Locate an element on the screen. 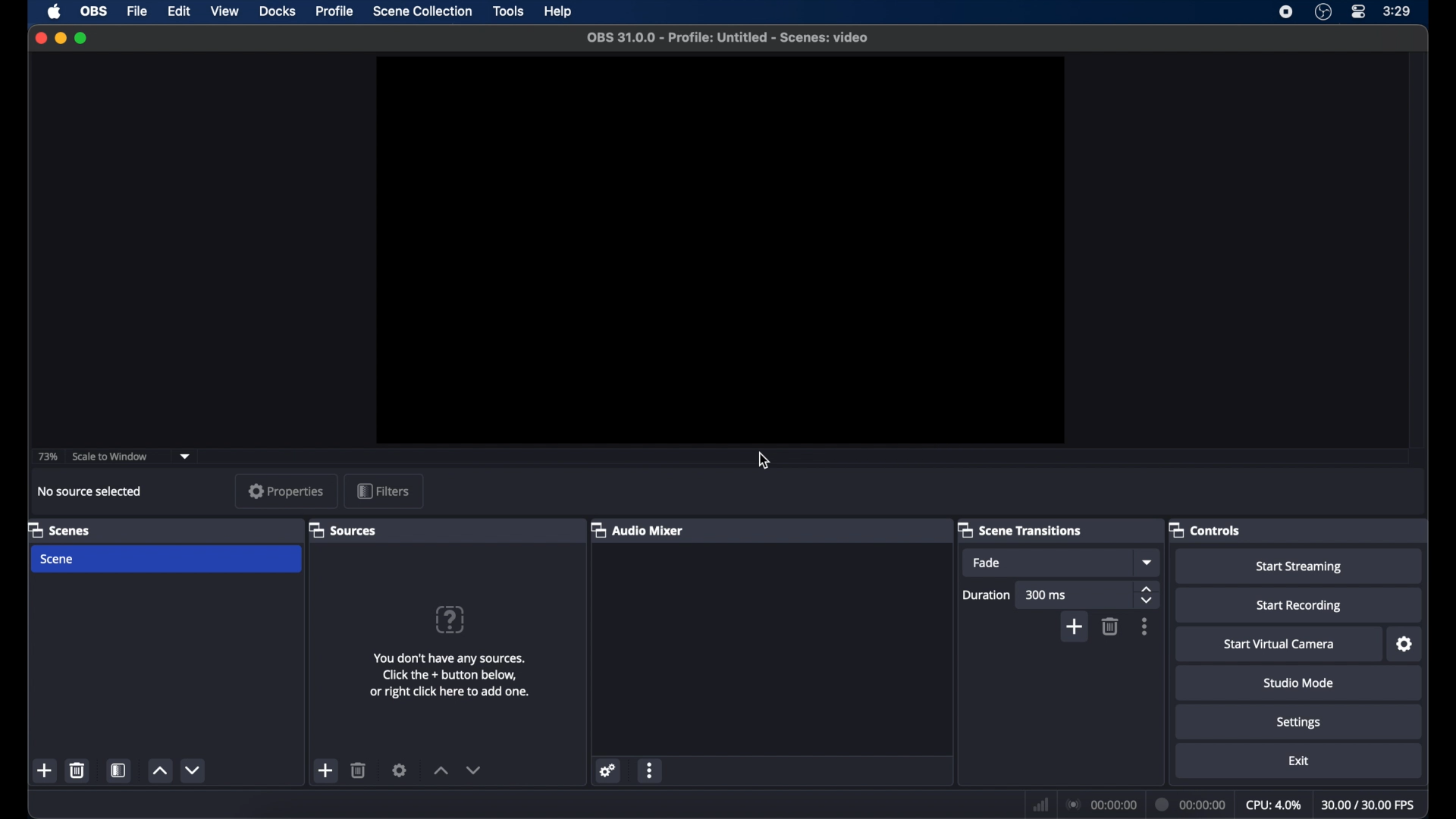  obs is located at coordinates (94, 11).